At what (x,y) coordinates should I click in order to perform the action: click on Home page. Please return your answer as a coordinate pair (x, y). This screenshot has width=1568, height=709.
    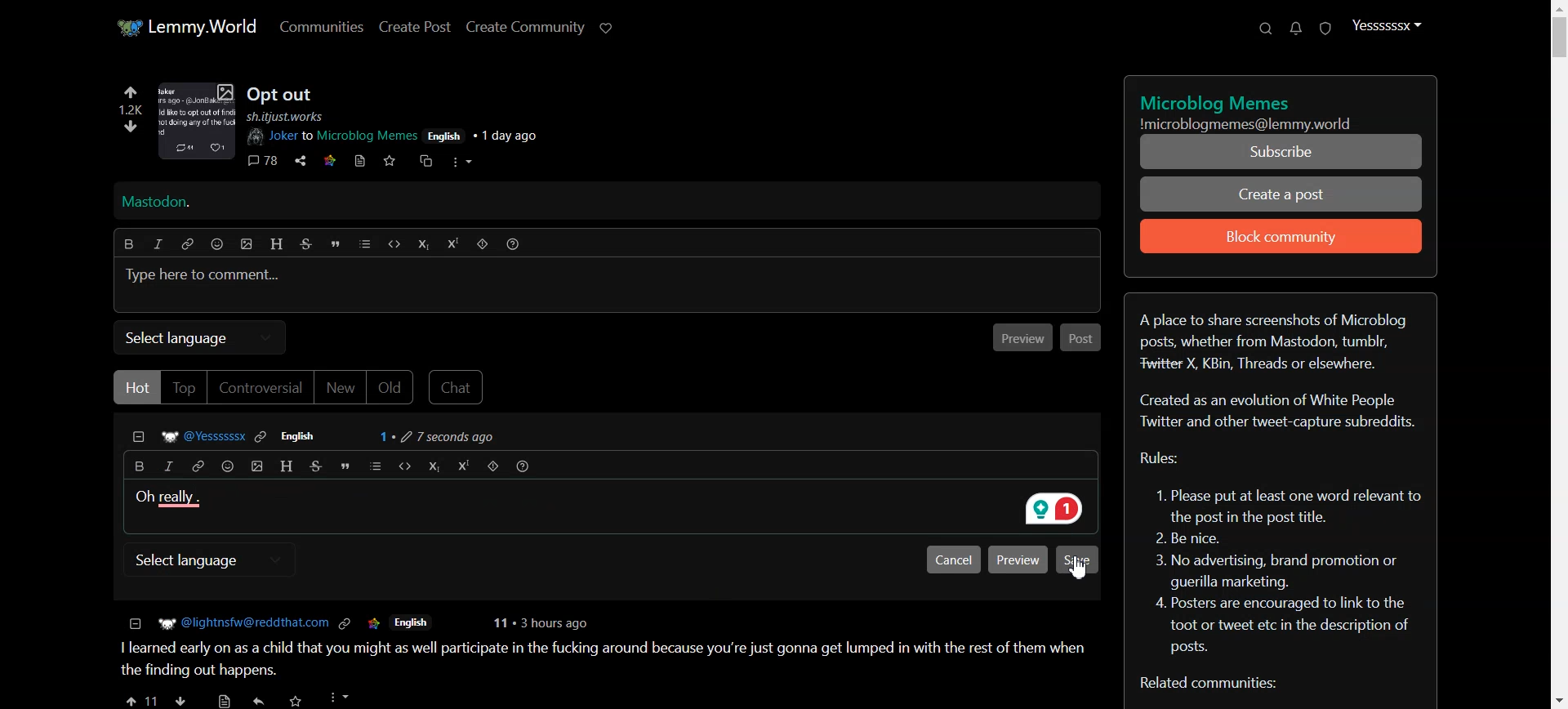
    Looking at the image, I should click on (186, 25).